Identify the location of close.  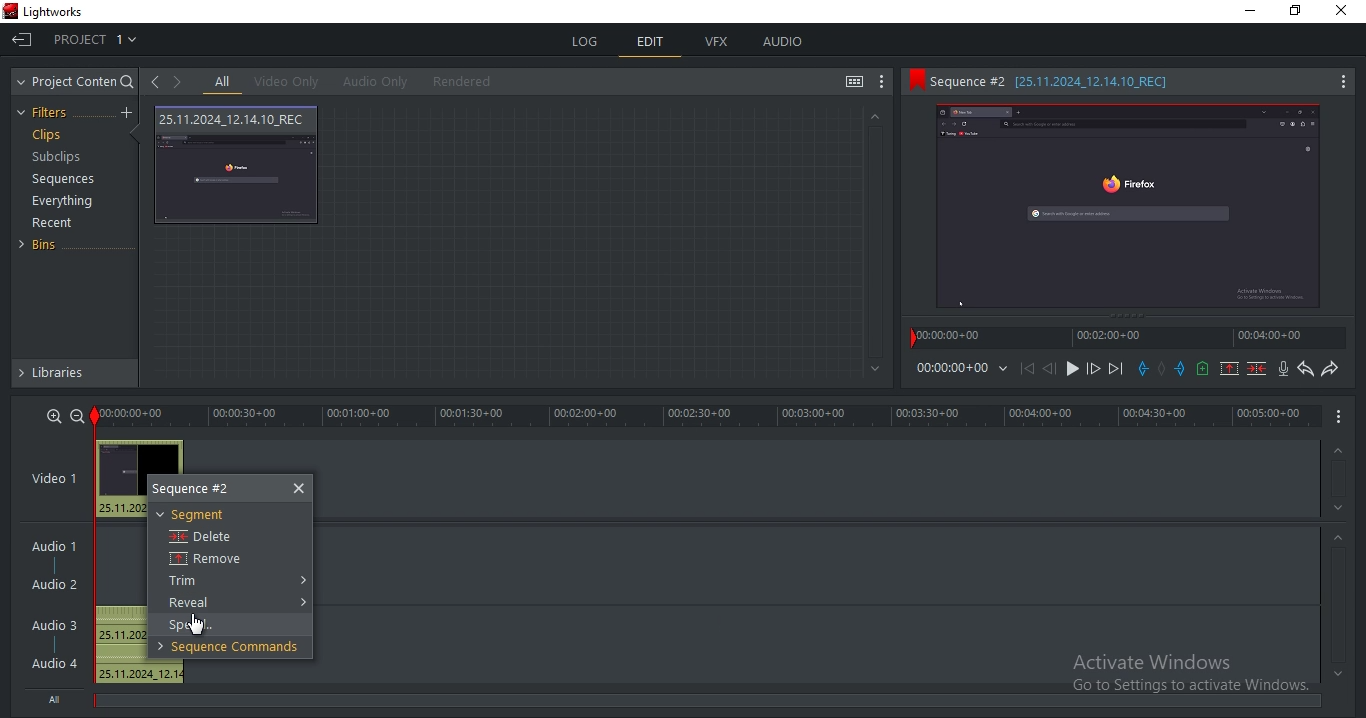
(1346, 12).